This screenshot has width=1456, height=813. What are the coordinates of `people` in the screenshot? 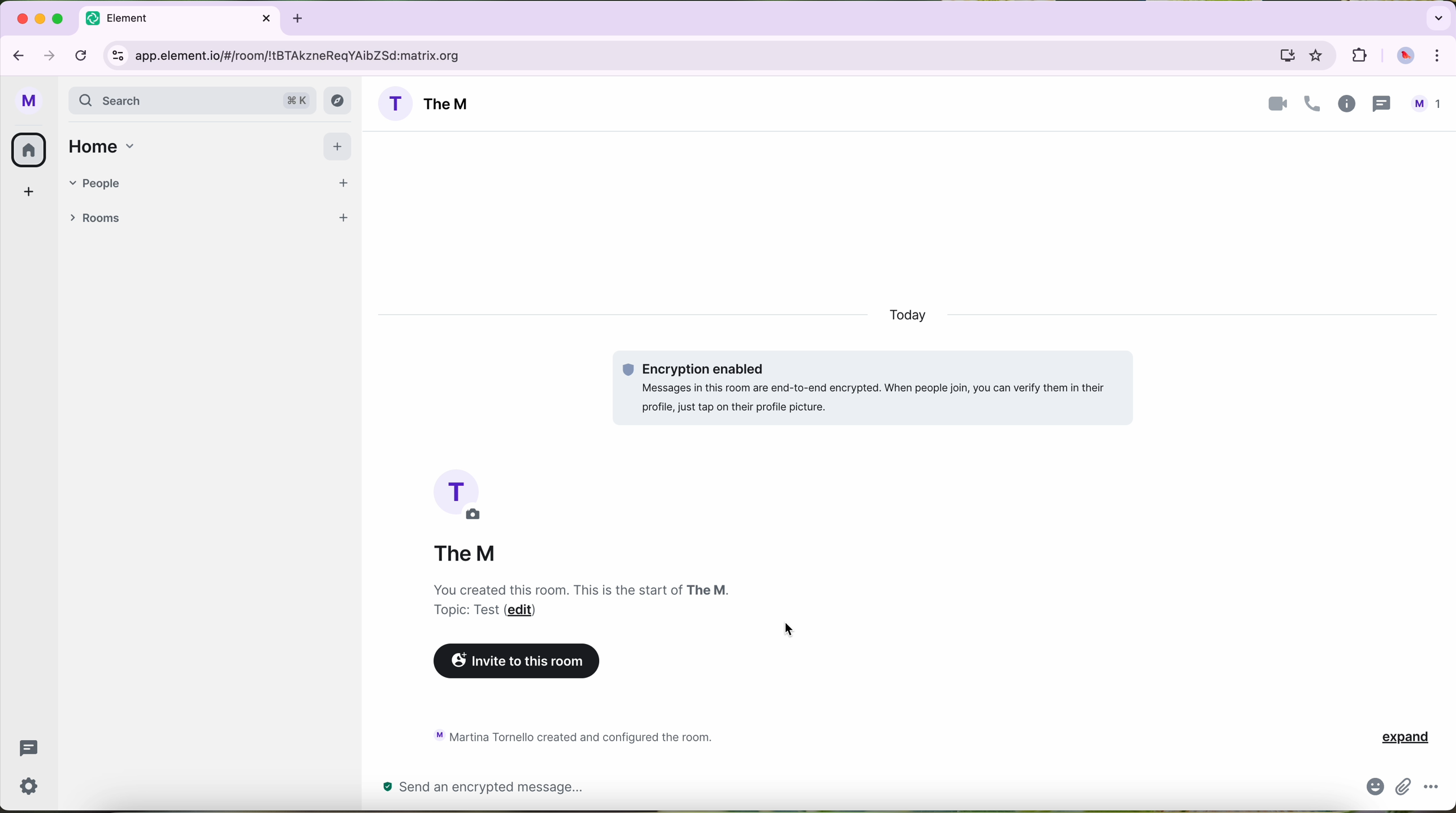 It's located at (1411, 103).